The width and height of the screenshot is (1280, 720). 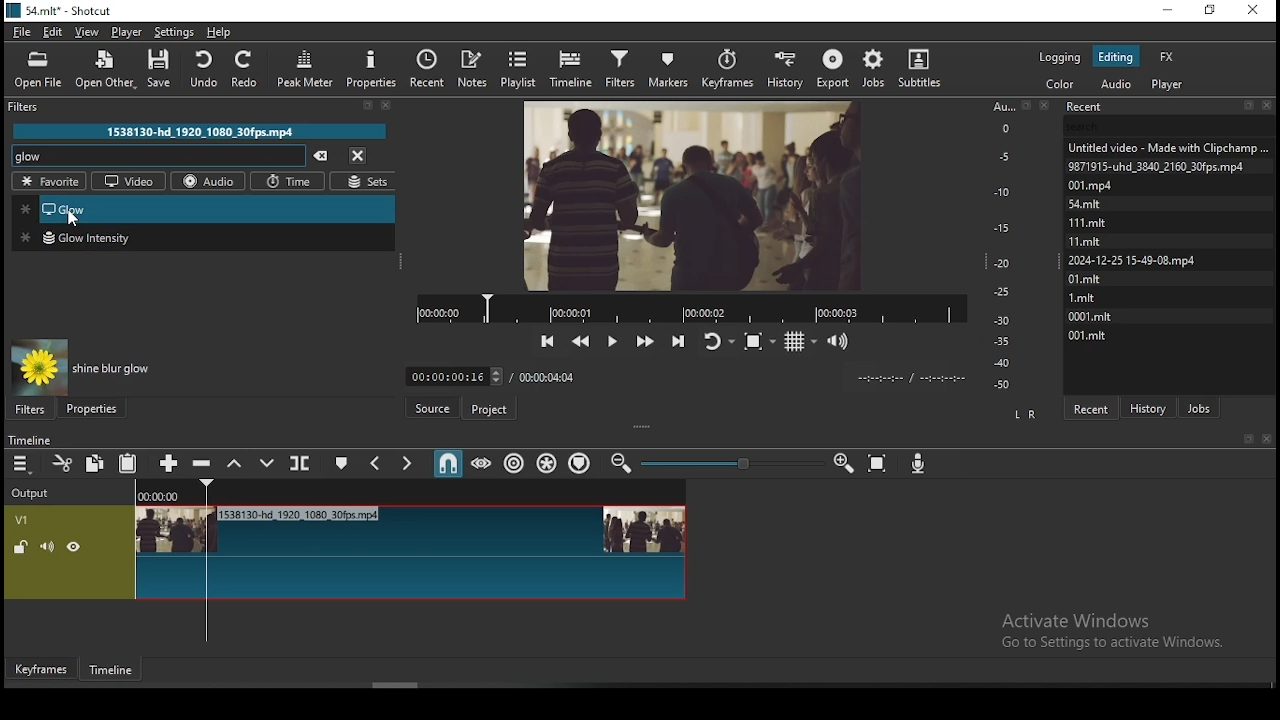 What do you see at coordinates (345, 552) in the screenshot?
I see `video track` at bounding box center [345, 552].